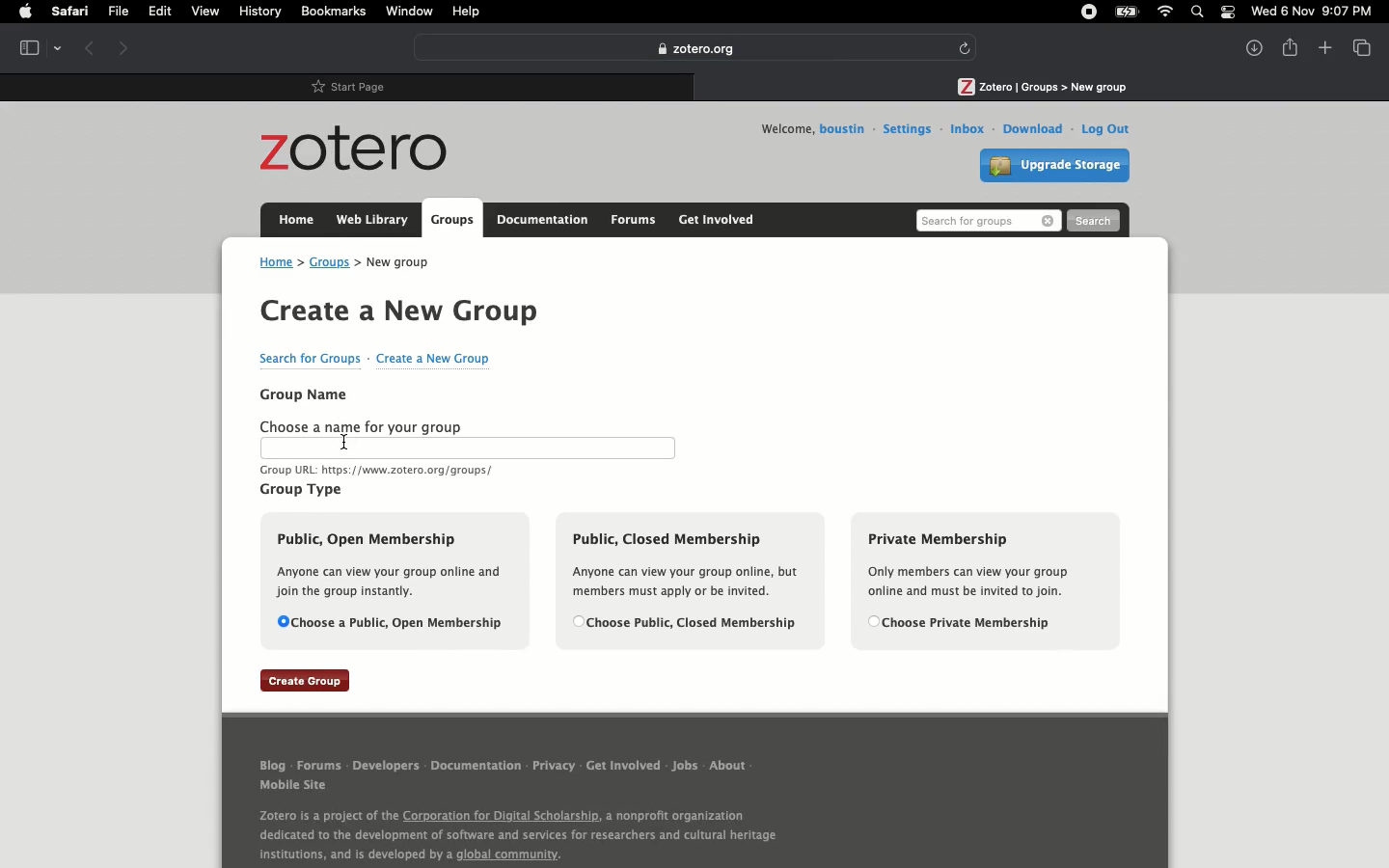 The height and width of the screenshot is (868, 1389). Describe the element at coordinates (716, 219) in the screenshot. I see `Get involved` at that location.